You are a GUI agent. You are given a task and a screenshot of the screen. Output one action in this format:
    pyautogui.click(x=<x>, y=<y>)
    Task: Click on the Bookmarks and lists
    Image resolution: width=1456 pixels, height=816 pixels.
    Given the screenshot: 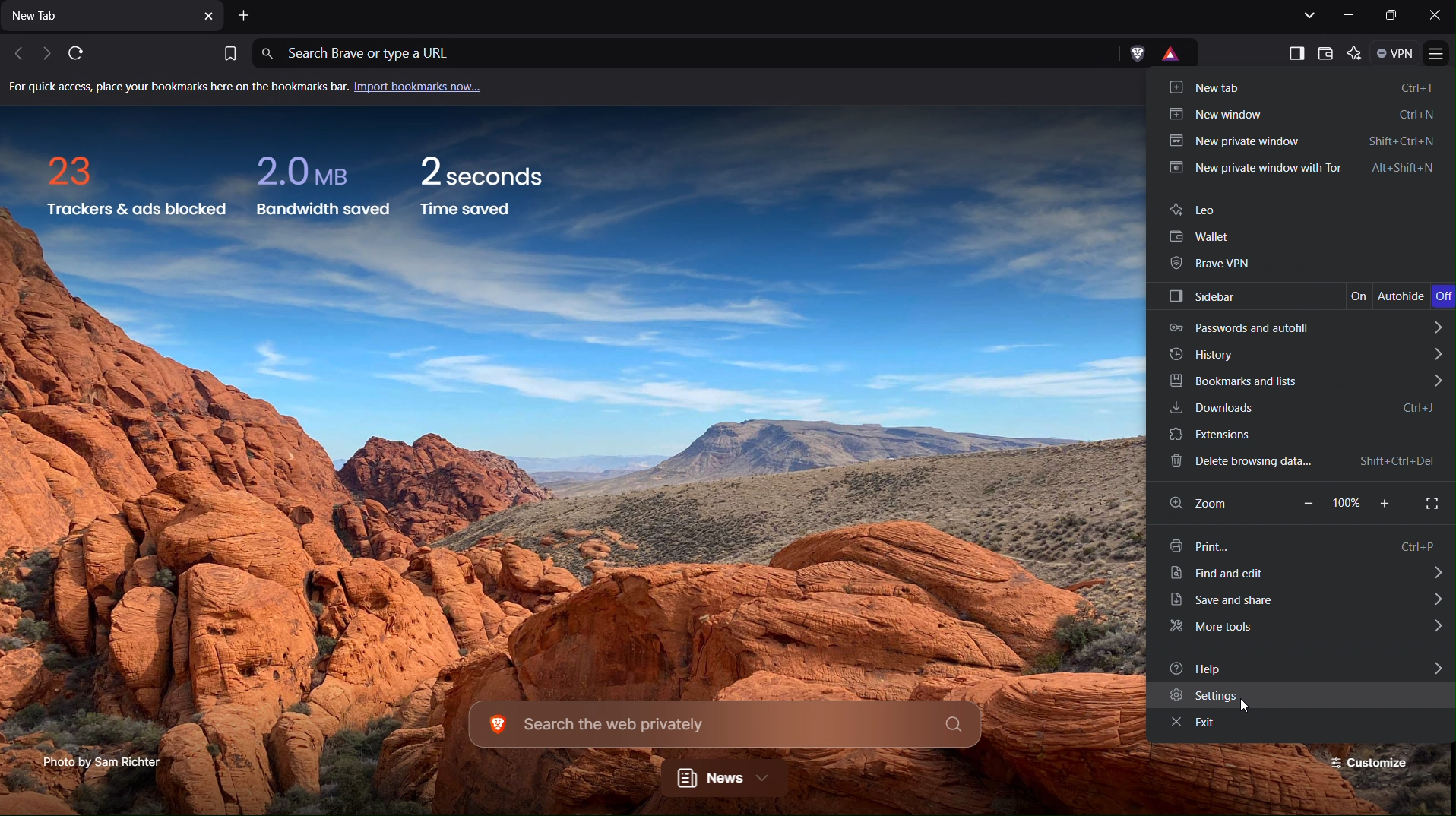 What is the action you would take?
    pyautogui.click(x=1303, y=381)
    